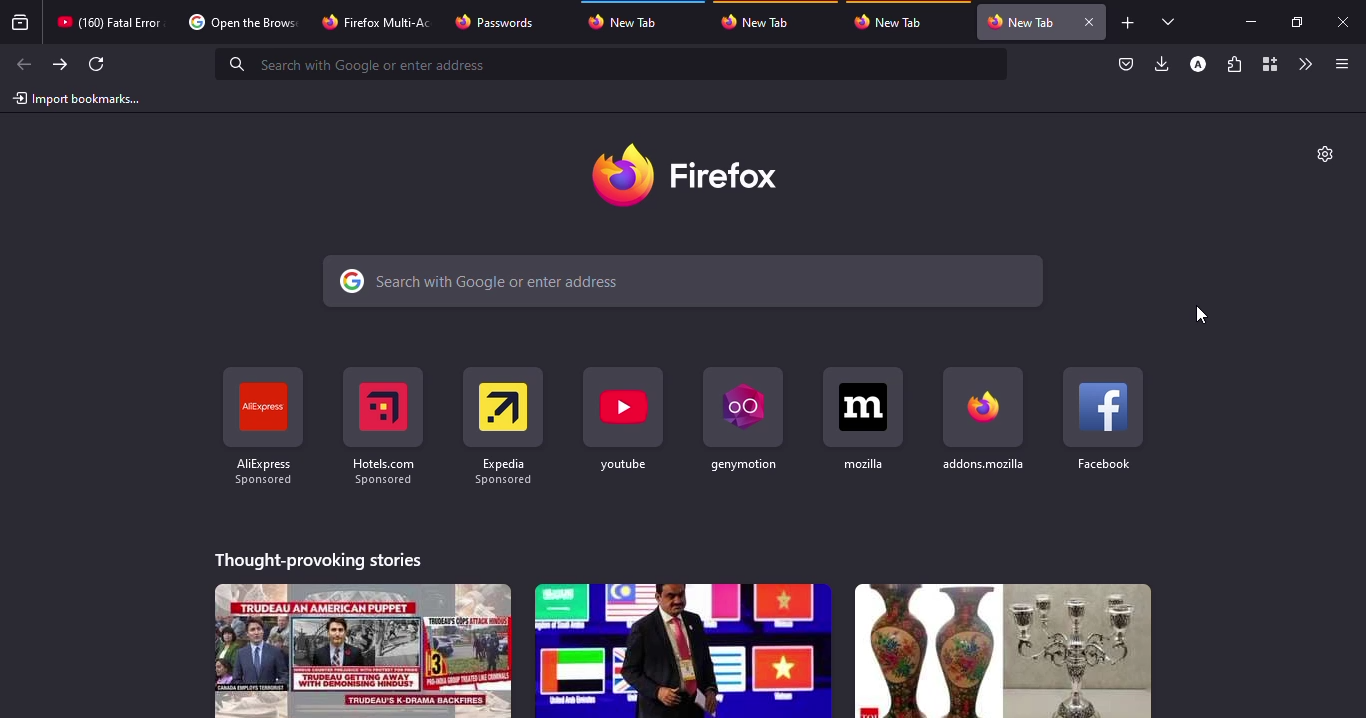 This screenshot has width=1366, height=718. I want to click on close, so click(1091, 22).